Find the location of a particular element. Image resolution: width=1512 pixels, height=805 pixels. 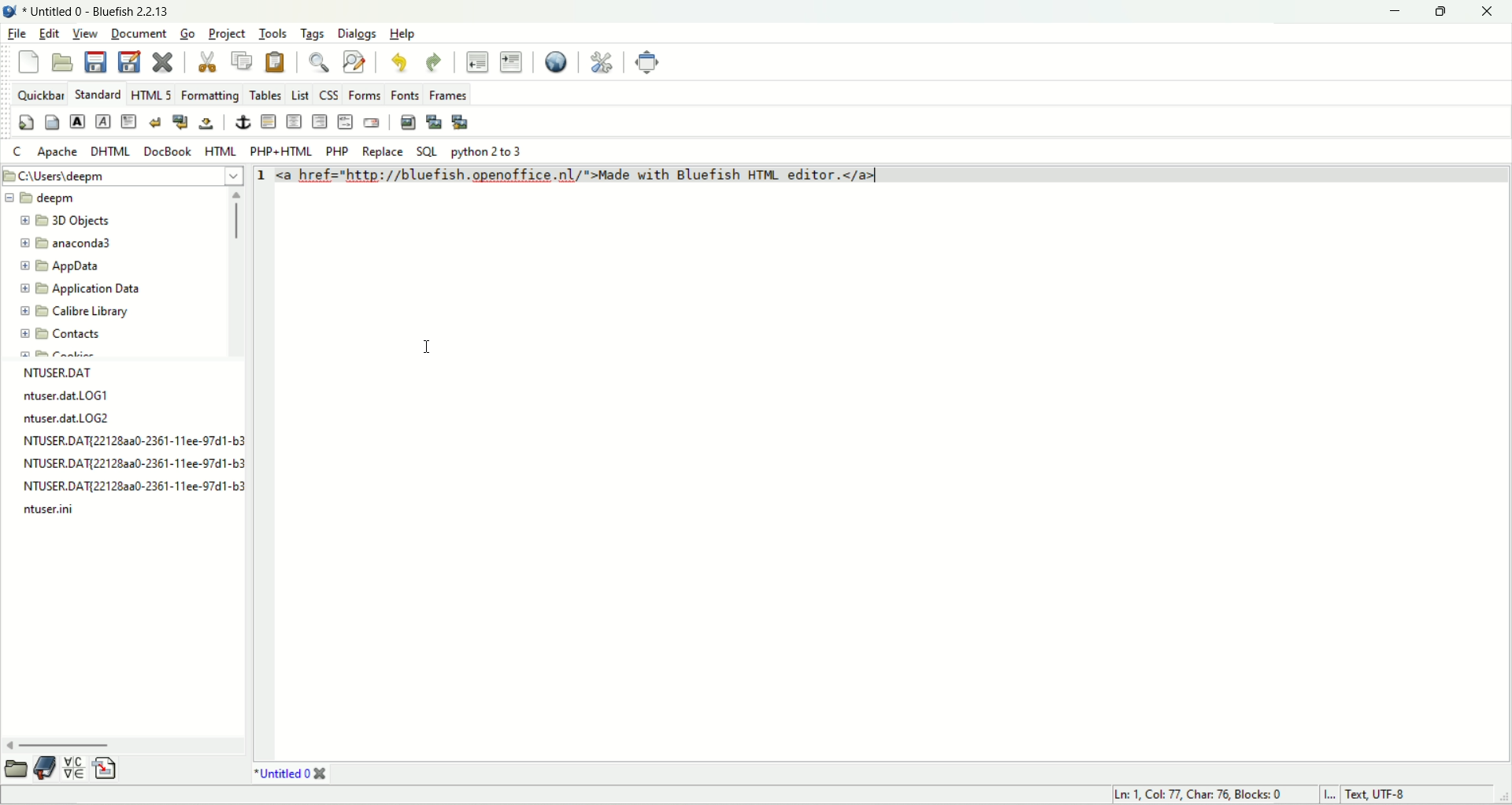

insert thumbnail is located at coordinates (433, 124).